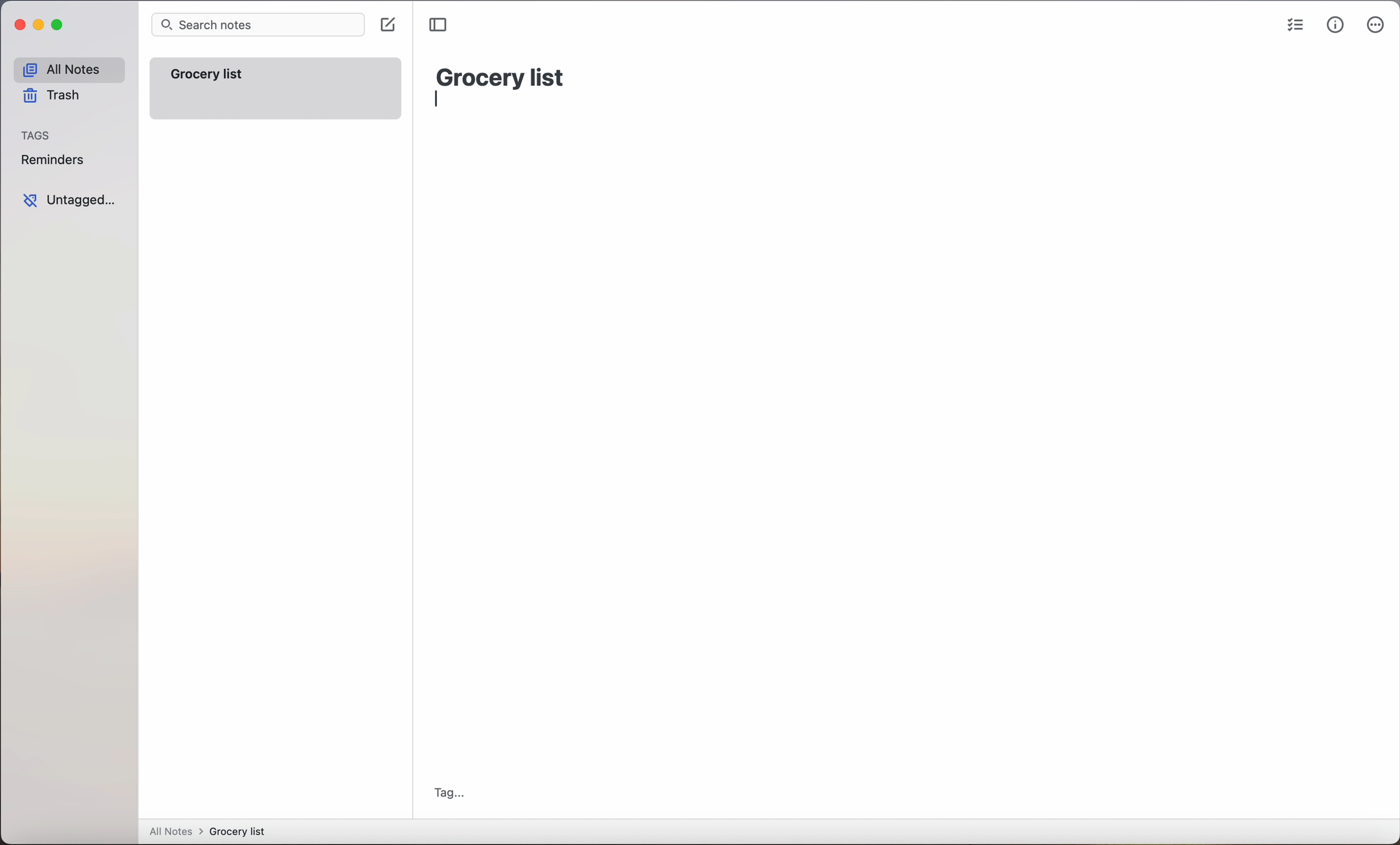 Image resolution: width=1400 pixels, height=845 pixels. Describe the element at coordinates (501, 76) in the screenshot. I see `grocery list` at that location.